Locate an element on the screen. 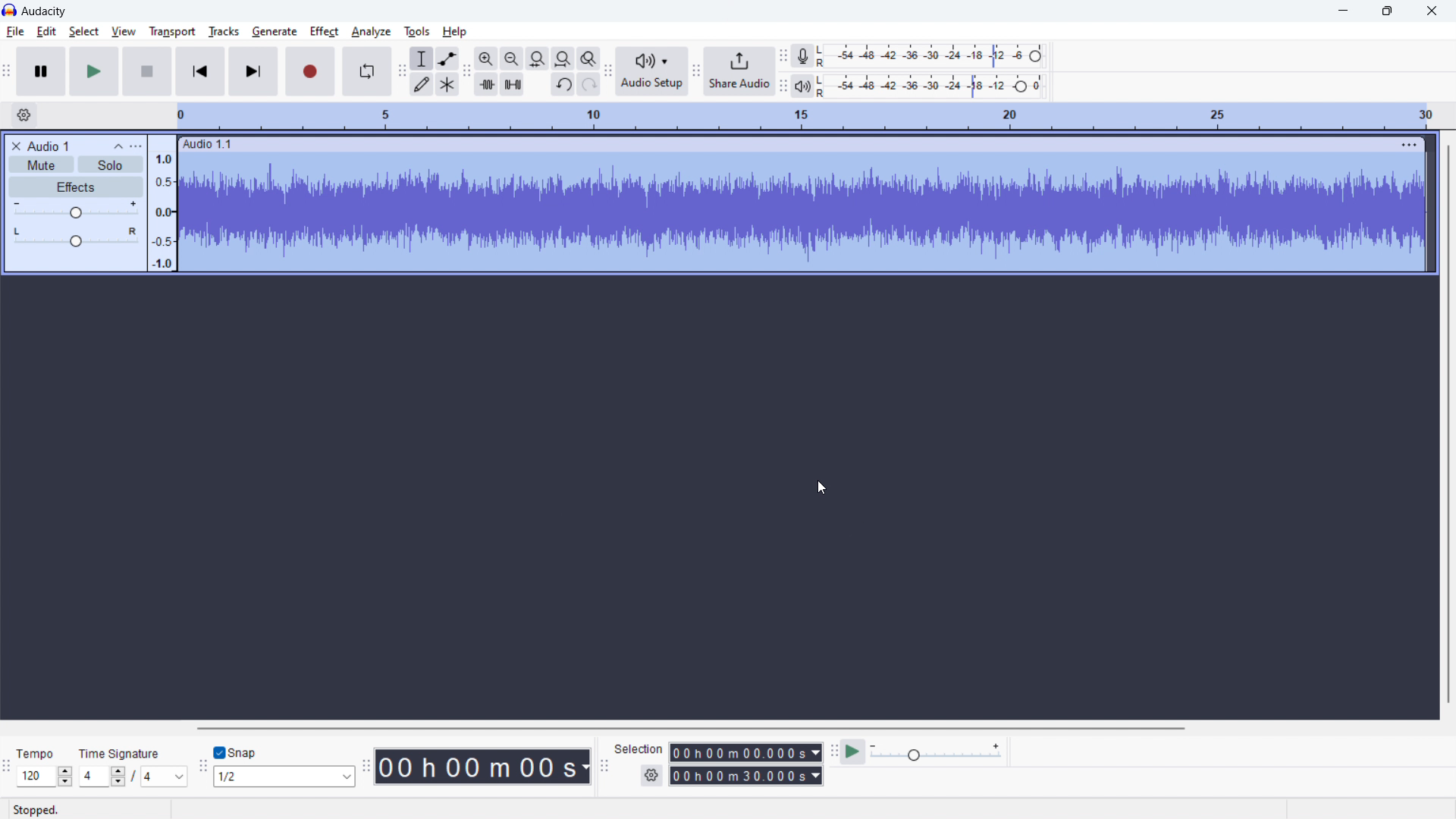 This screenshot has height=819, width=1456. multi tool is located at coordinates (447, 83).